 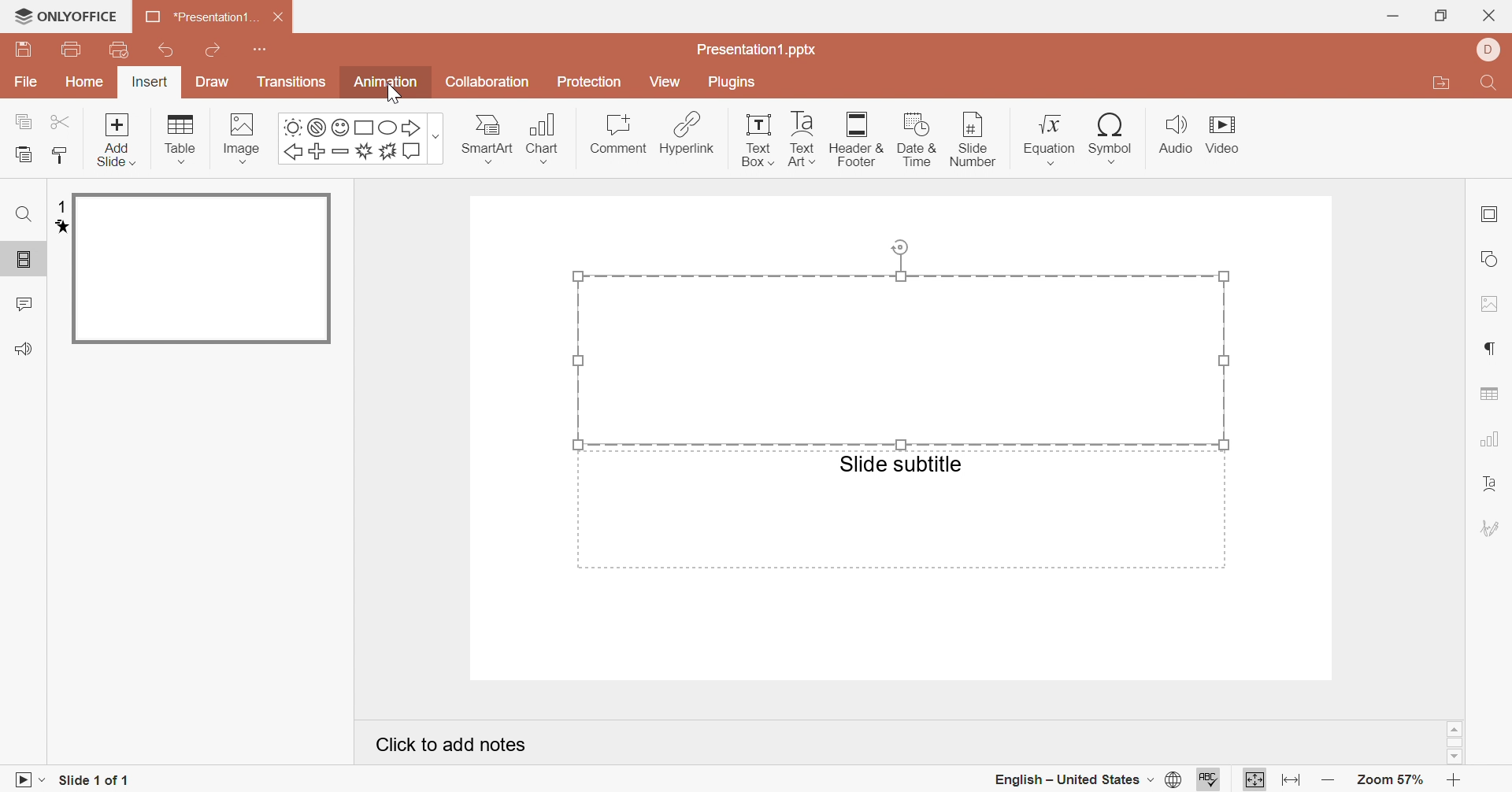 What do you see at coordinates (24, 120) in the screenshot?
I see `copy` at bounding box center [24, 120].